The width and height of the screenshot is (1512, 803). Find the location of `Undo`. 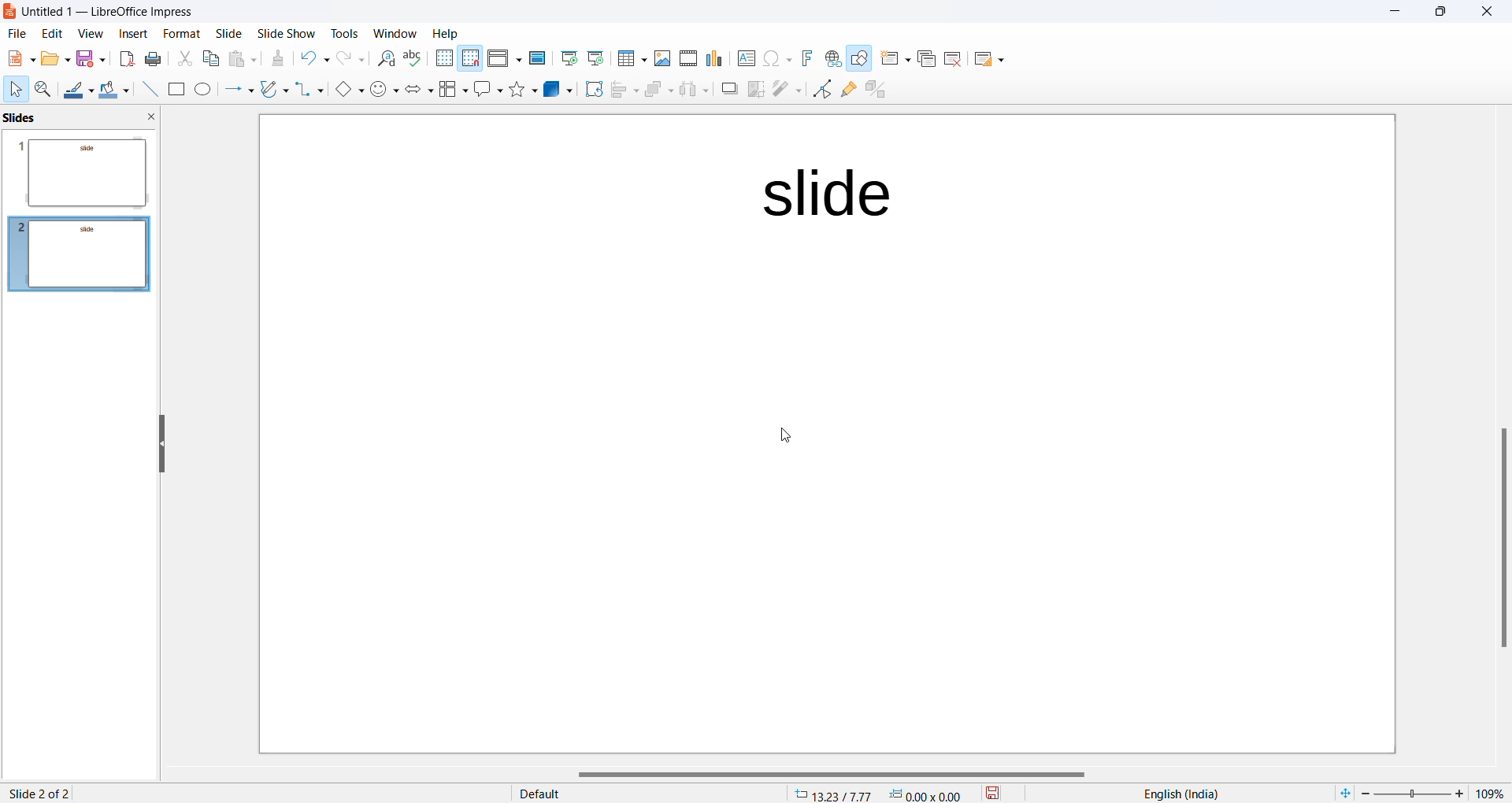

Undo is located at coordinates (315, 56).